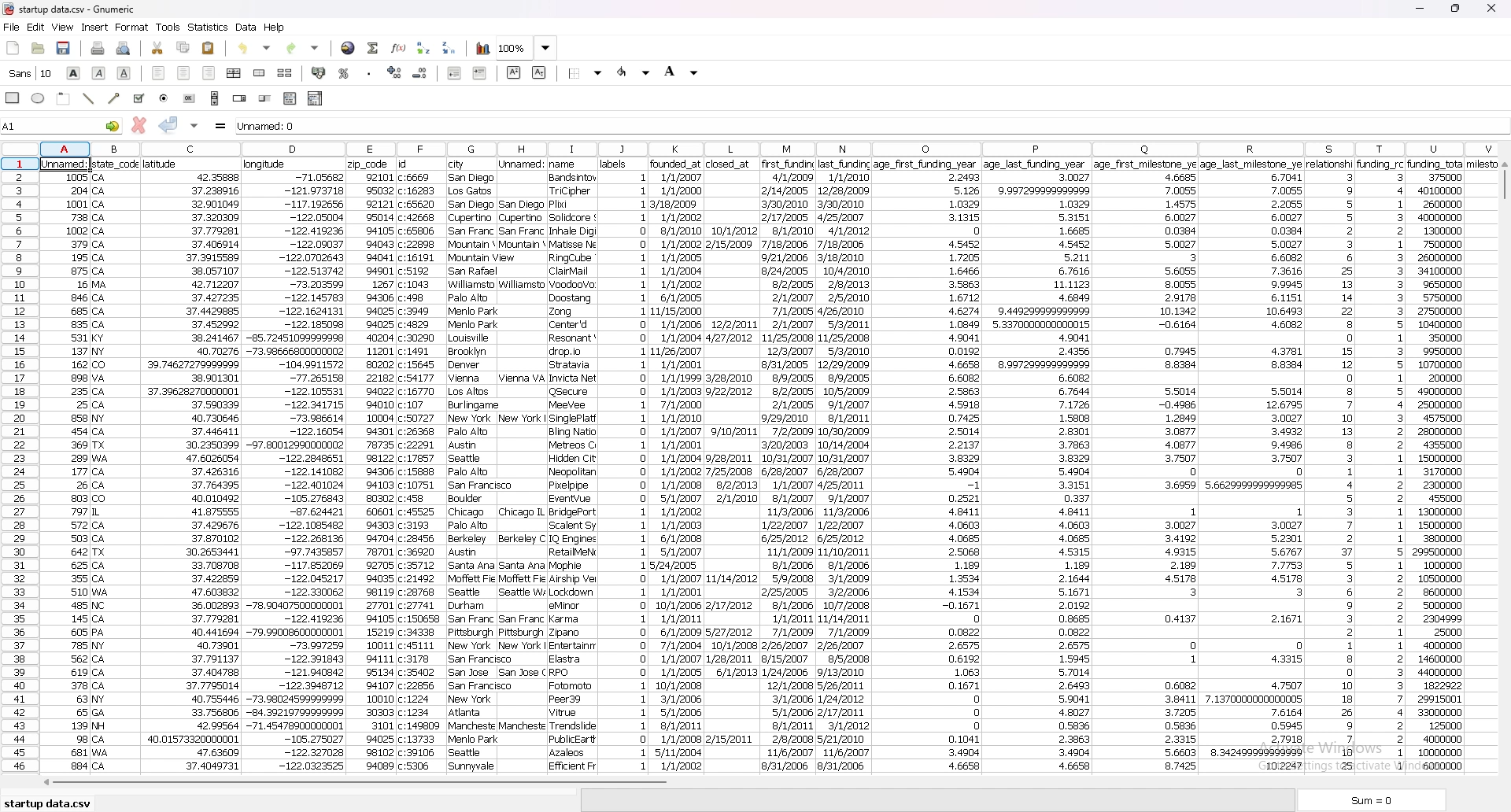 This screenshot has height=812, width=1511. What do you see at coordinates (209, 49) in the screenshot?
I see `paste` at bounding box center [209, 49].